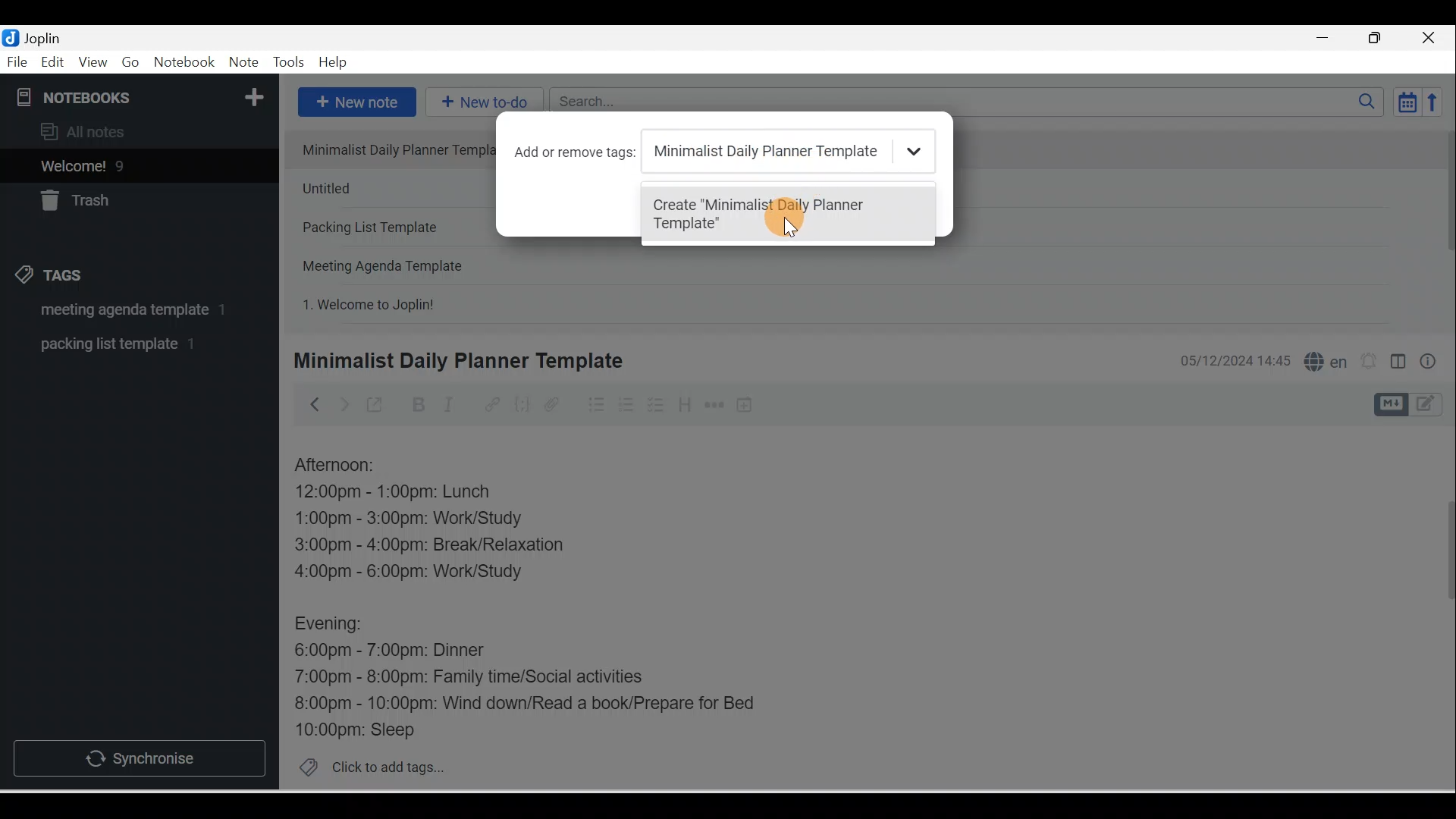 This screenshot has width=1456, height=819. What do you see at coordinates (781, 151) in the screenshot?
I see `Minimalist Daily Planner Template` at bounding box center [781, 151].